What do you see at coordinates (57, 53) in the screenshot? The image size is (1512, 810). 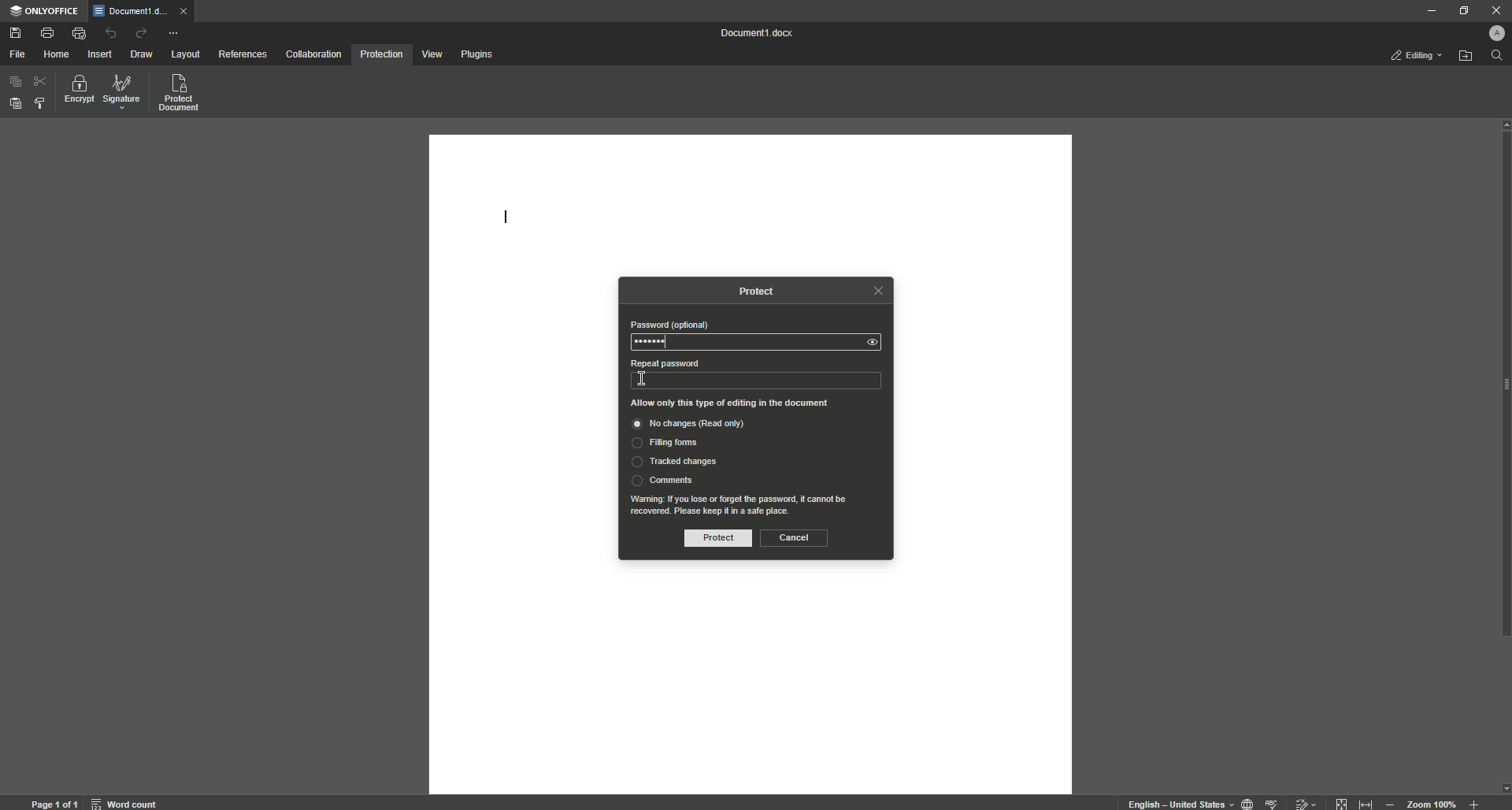 I see `Home` at bounding box center [57, 53].